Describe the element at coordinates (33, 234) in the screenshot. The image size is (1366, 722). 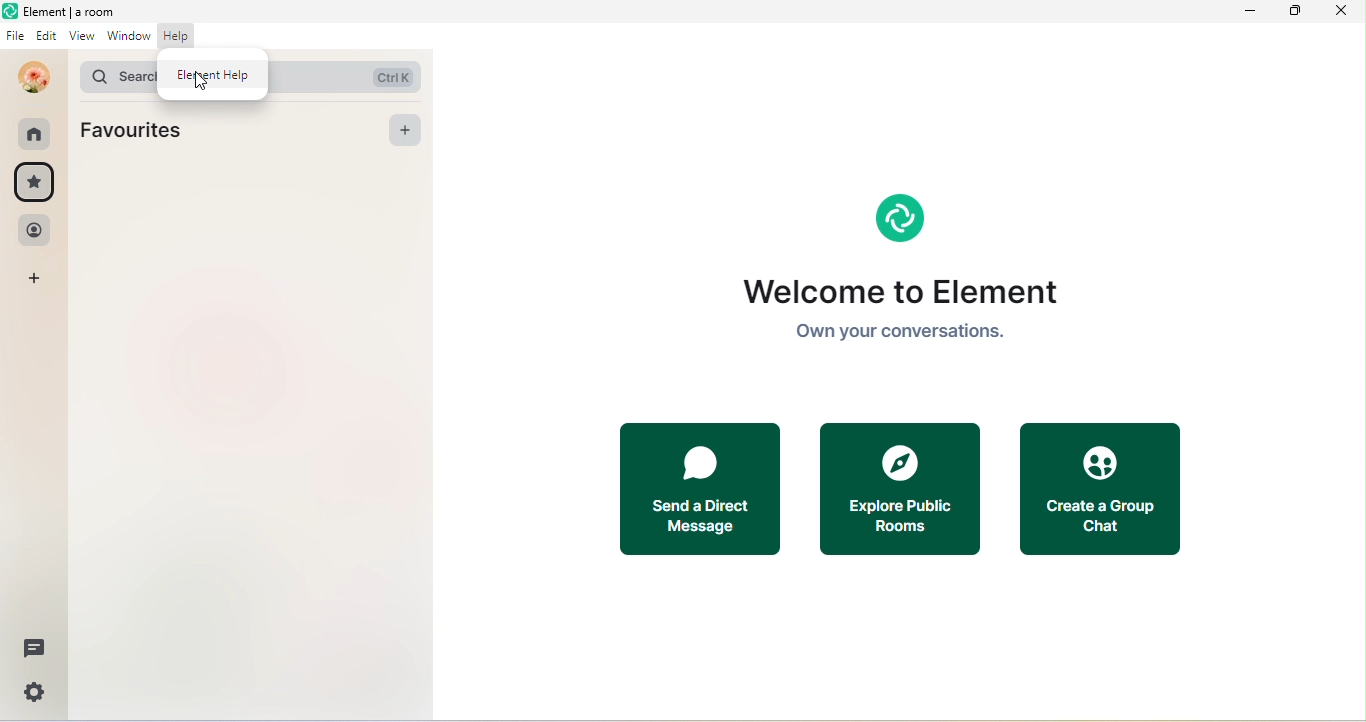
I see `people` at that location.